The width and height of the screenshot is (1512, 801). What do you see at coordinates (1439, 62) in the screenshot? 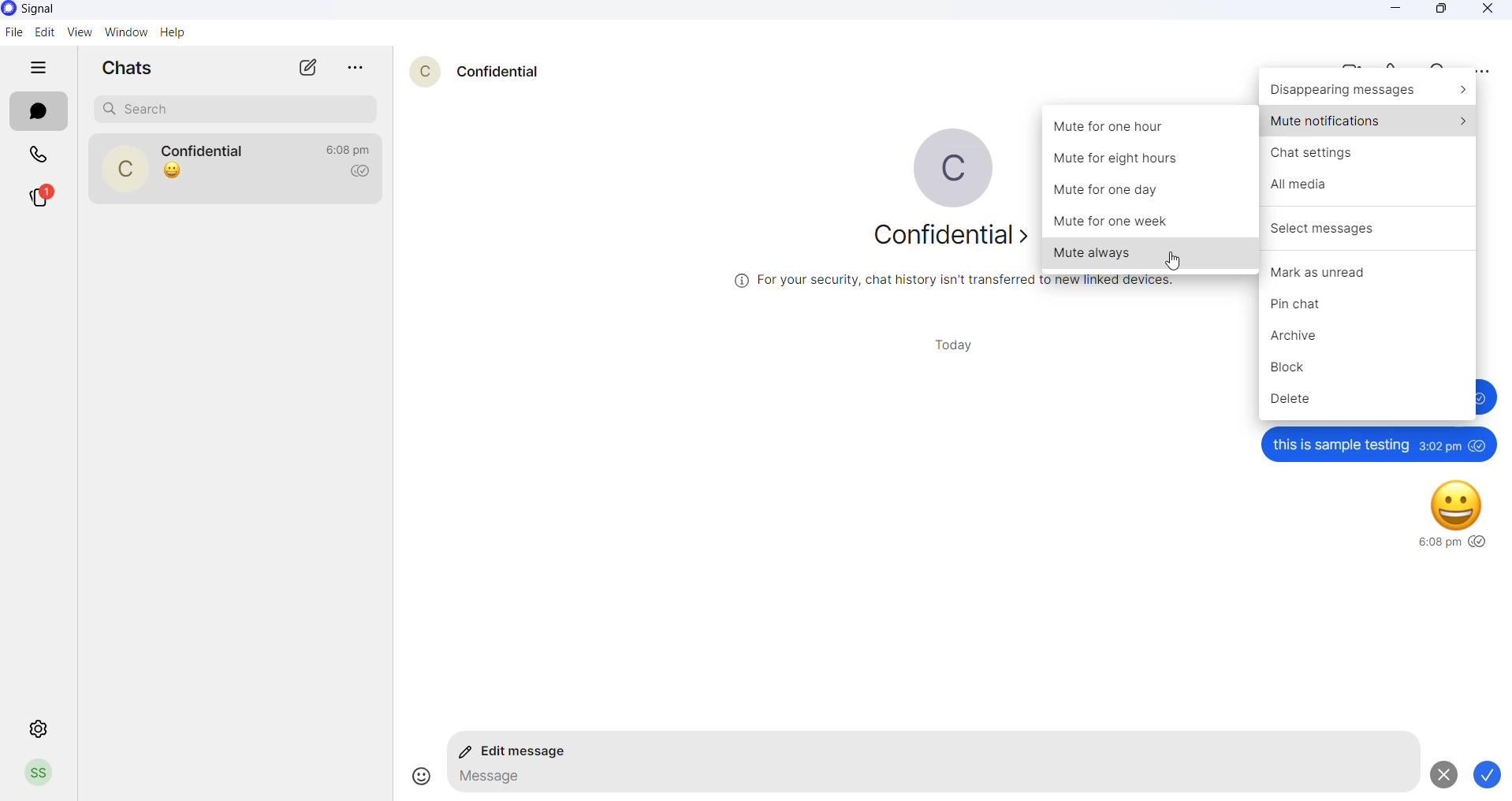
I see `search in chats` at bounding box center [1439, 62].